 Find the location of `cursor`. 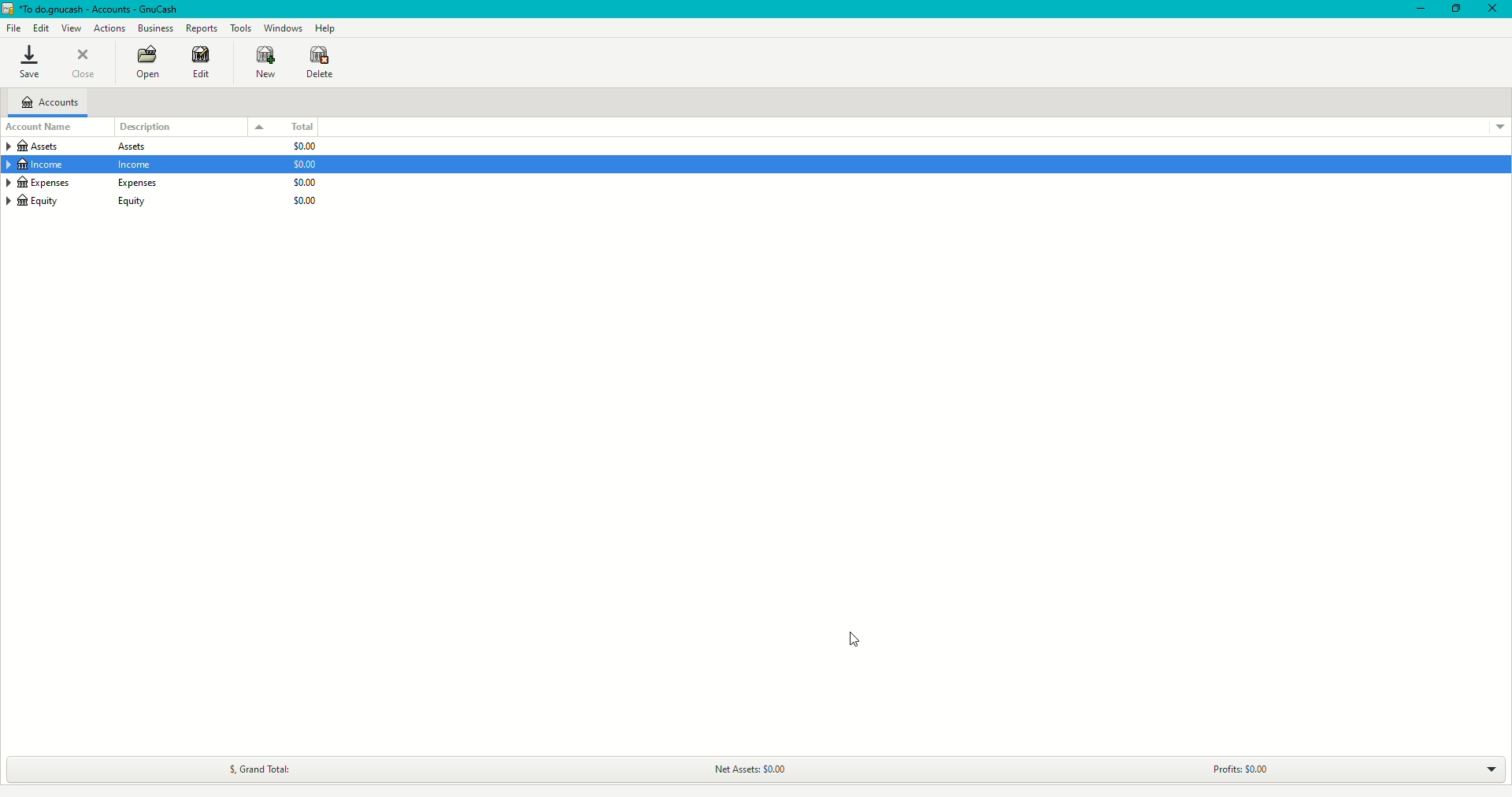

cursor is located at coordinates (854, 643).